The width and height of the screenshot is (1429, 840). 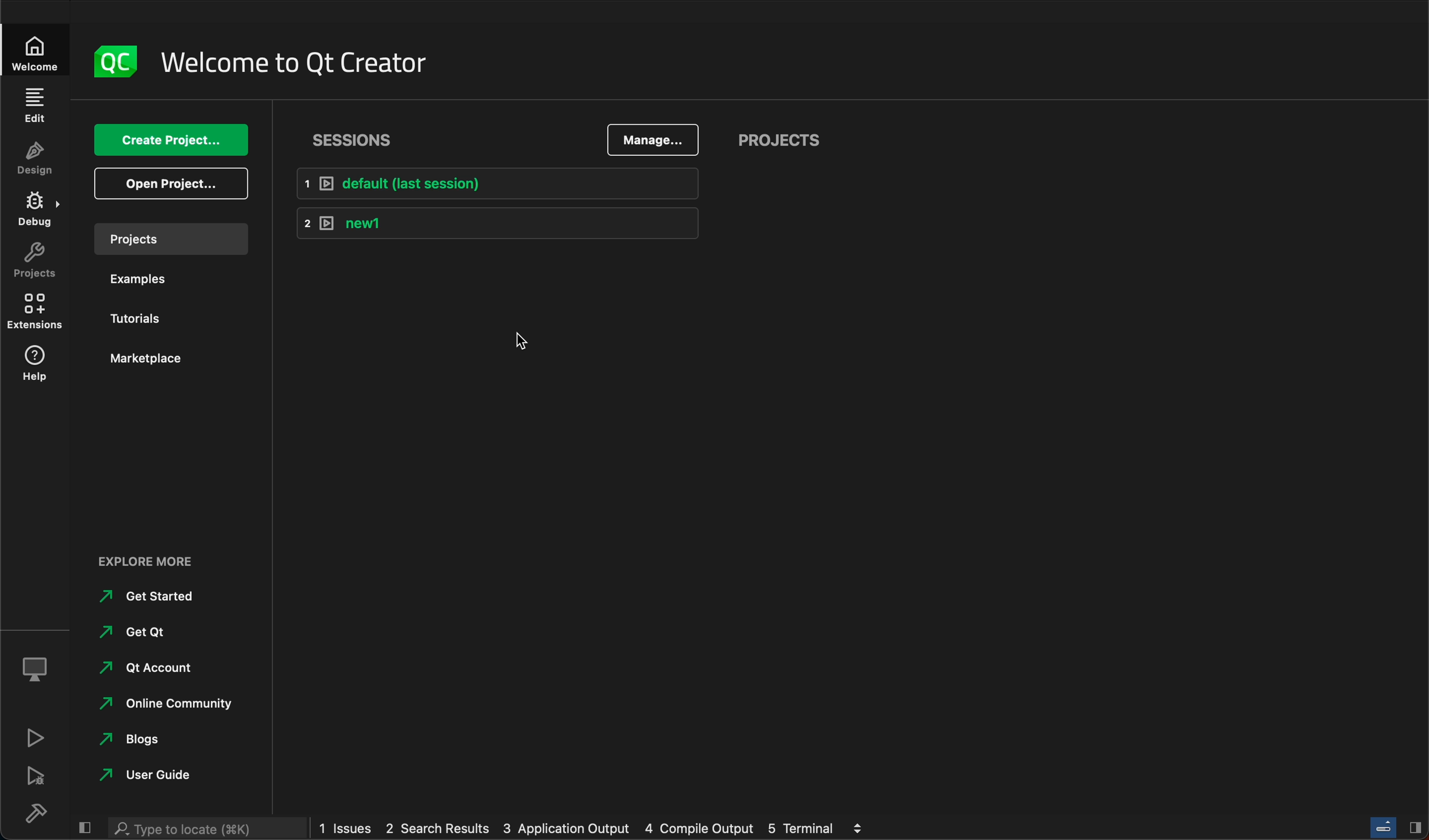 I want to click on manage, so click(x=655, y=137).